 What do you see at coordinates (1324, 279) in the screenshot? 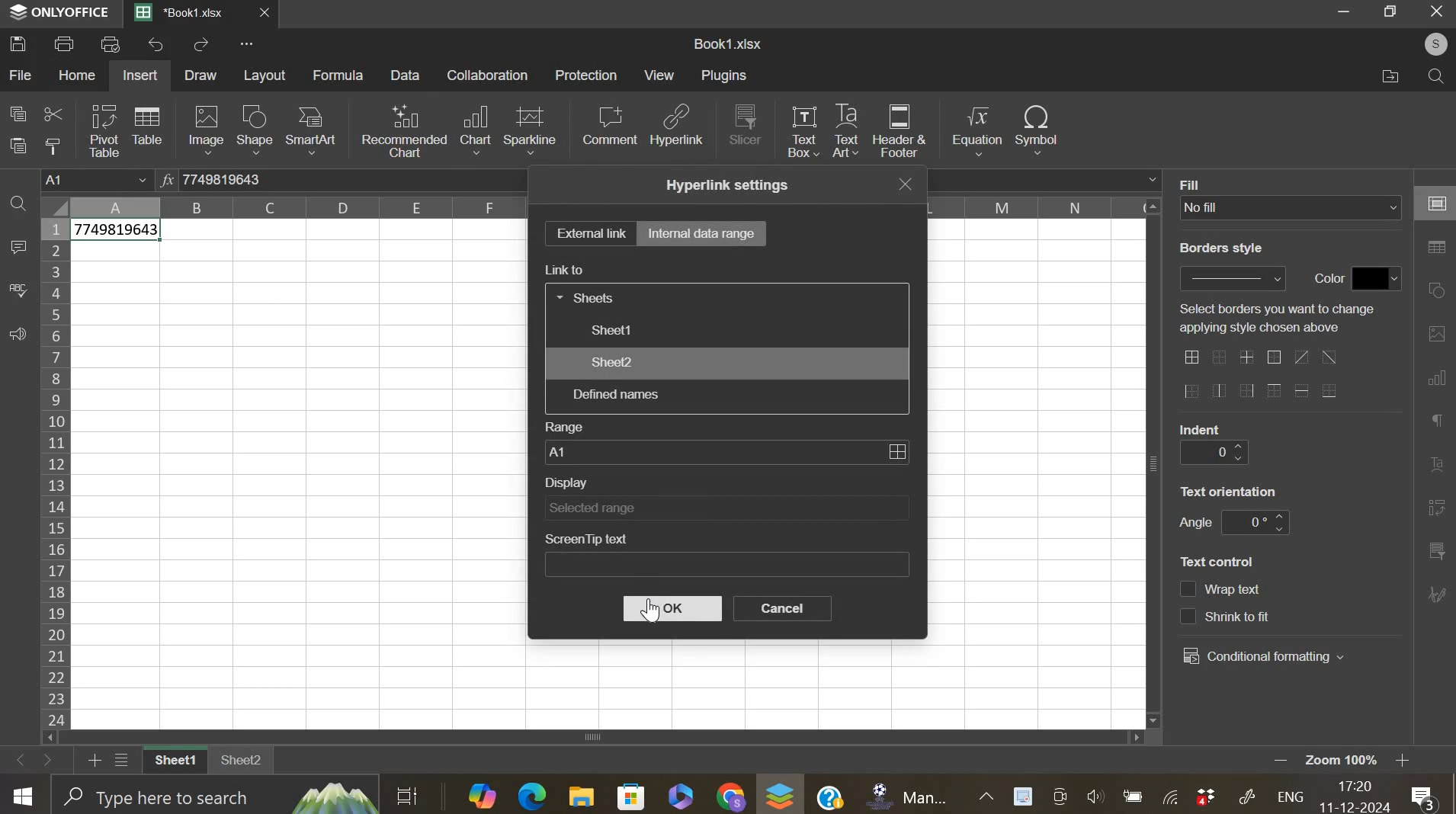
I see `text` at bounding box center [1324, 279].